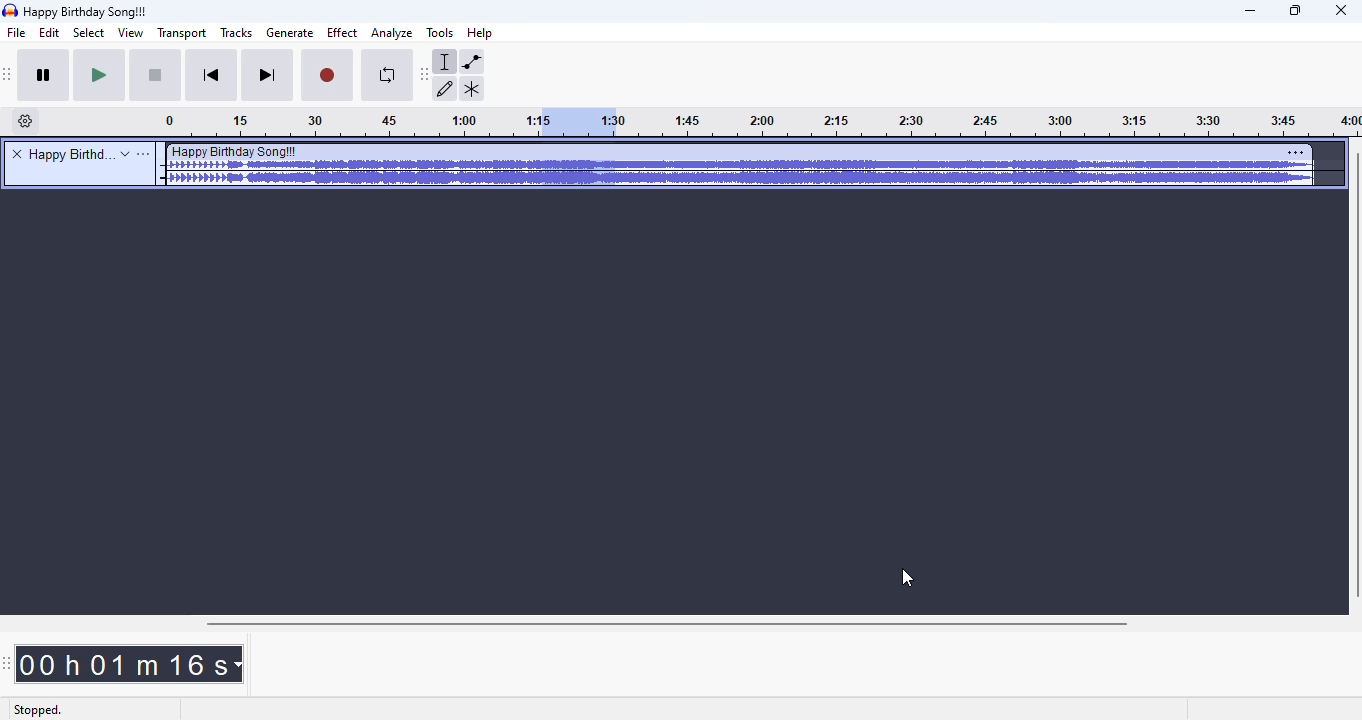 Image resolution: width=1362 pixels, height=720 pixels. I want to click on transport, so click(180, 33).